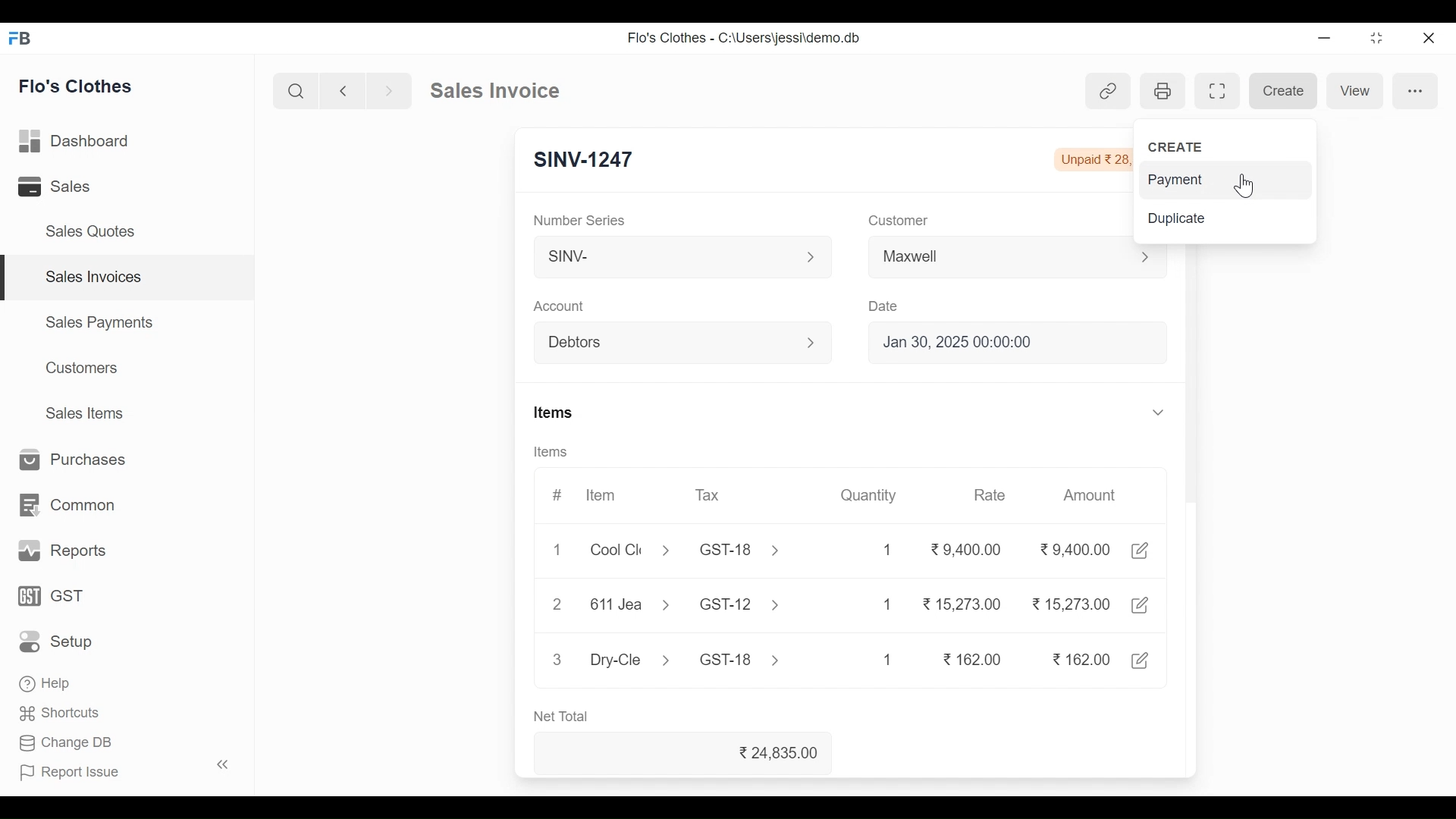 The image size is (1456, 819). What do you see at coordinates (1221, 90) in the screenshot?
I see `Toggle between form and full width` at bounding box center [1221, 90].